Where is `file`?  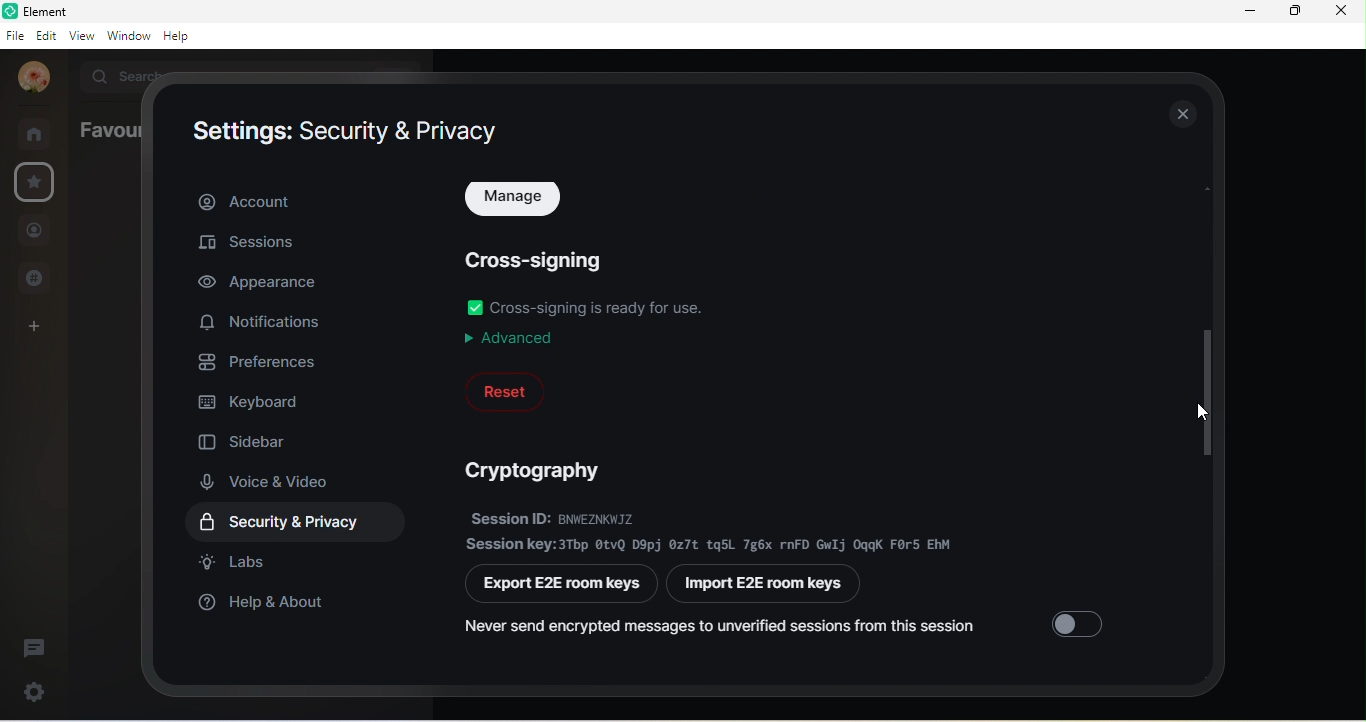
file is located at coordinates (14, 36).